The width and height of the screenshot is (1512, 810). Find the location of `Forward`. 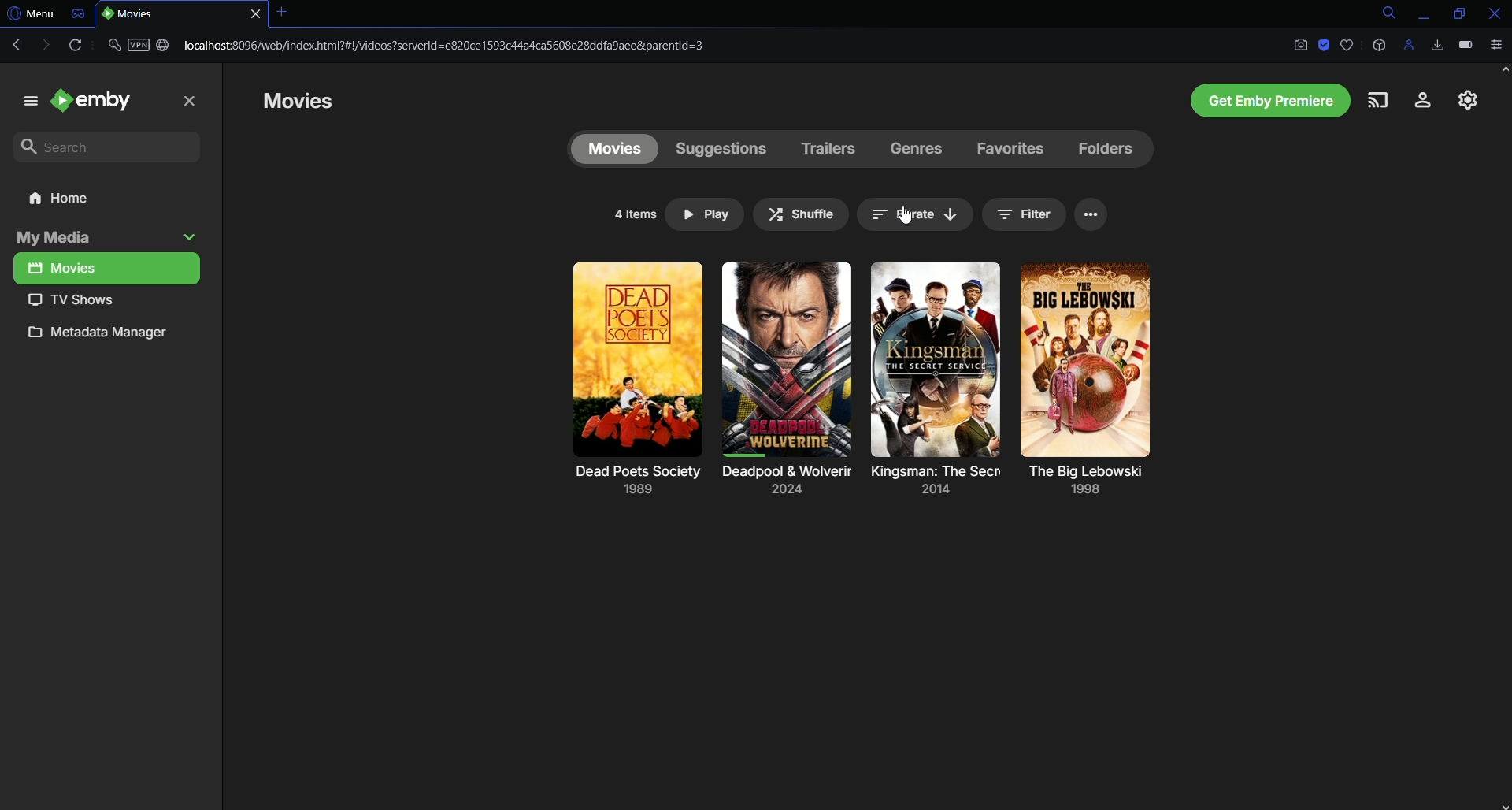

Forward is located at coordinates (43, 45).